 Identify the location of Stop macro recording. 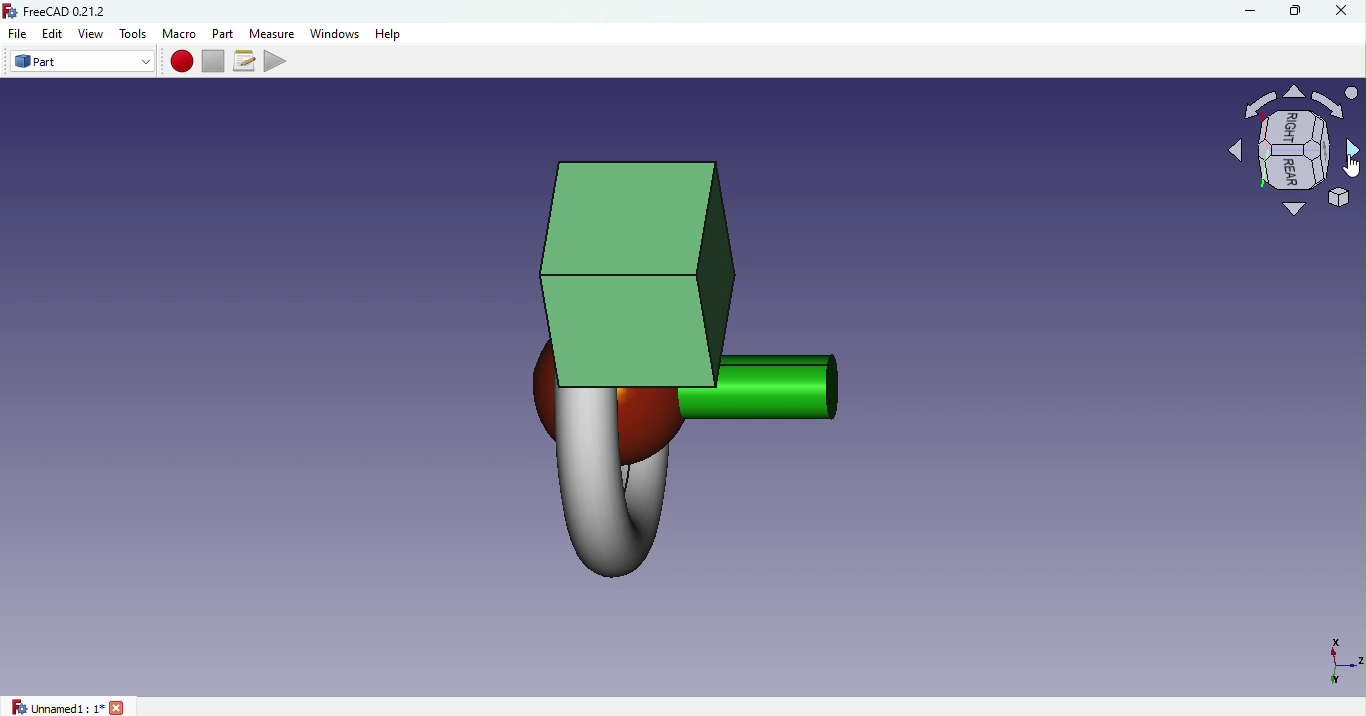
(212, 61).